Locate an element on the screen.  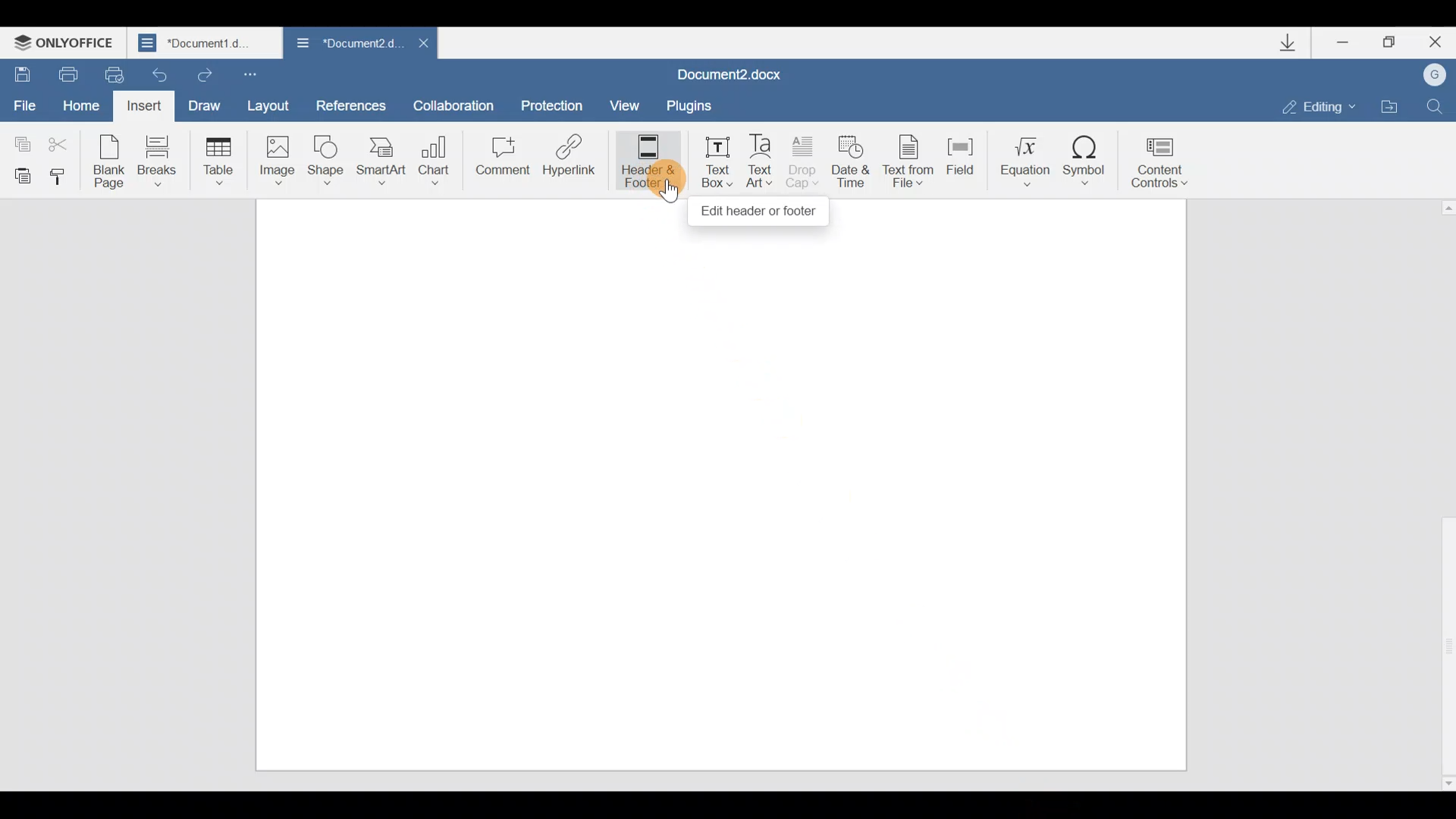
Undo is located at coordinates (161, 74).